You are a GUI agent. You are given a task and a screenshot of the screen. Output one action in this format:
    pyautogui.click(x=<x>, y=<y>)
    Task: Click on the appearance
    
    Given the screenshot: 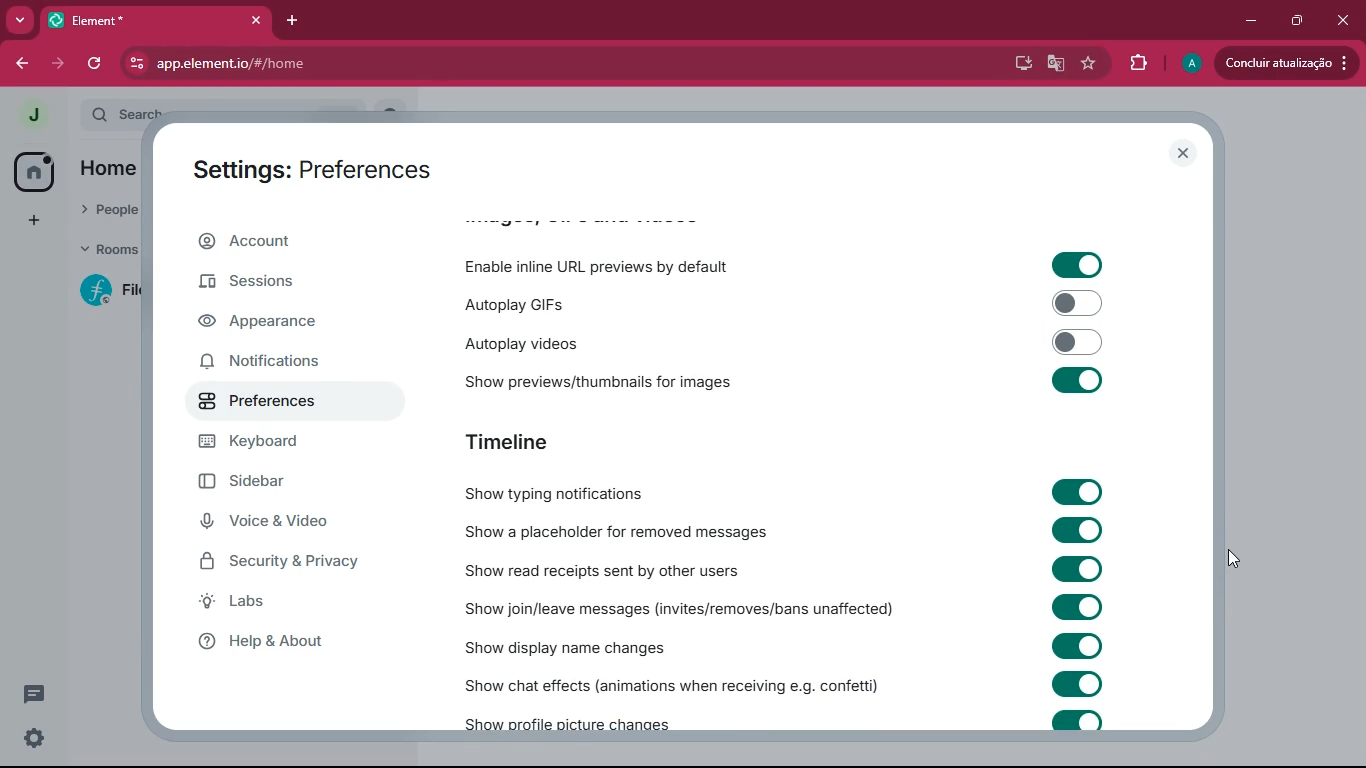 What is the action you would take?
    pyautogui.click(x=271, y=321)
    